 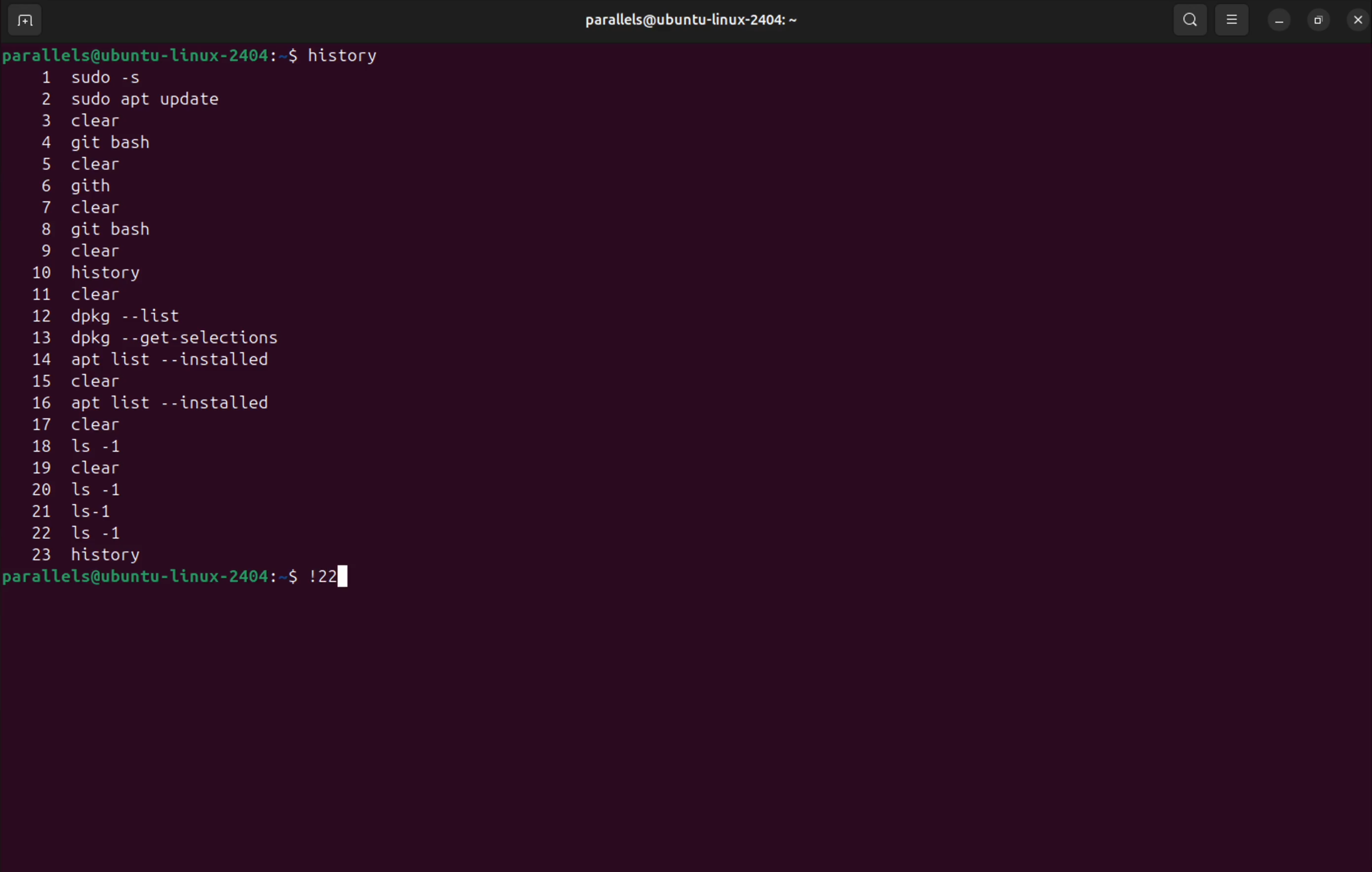 I want to click on 19 clear, so click(x=81, y=468).